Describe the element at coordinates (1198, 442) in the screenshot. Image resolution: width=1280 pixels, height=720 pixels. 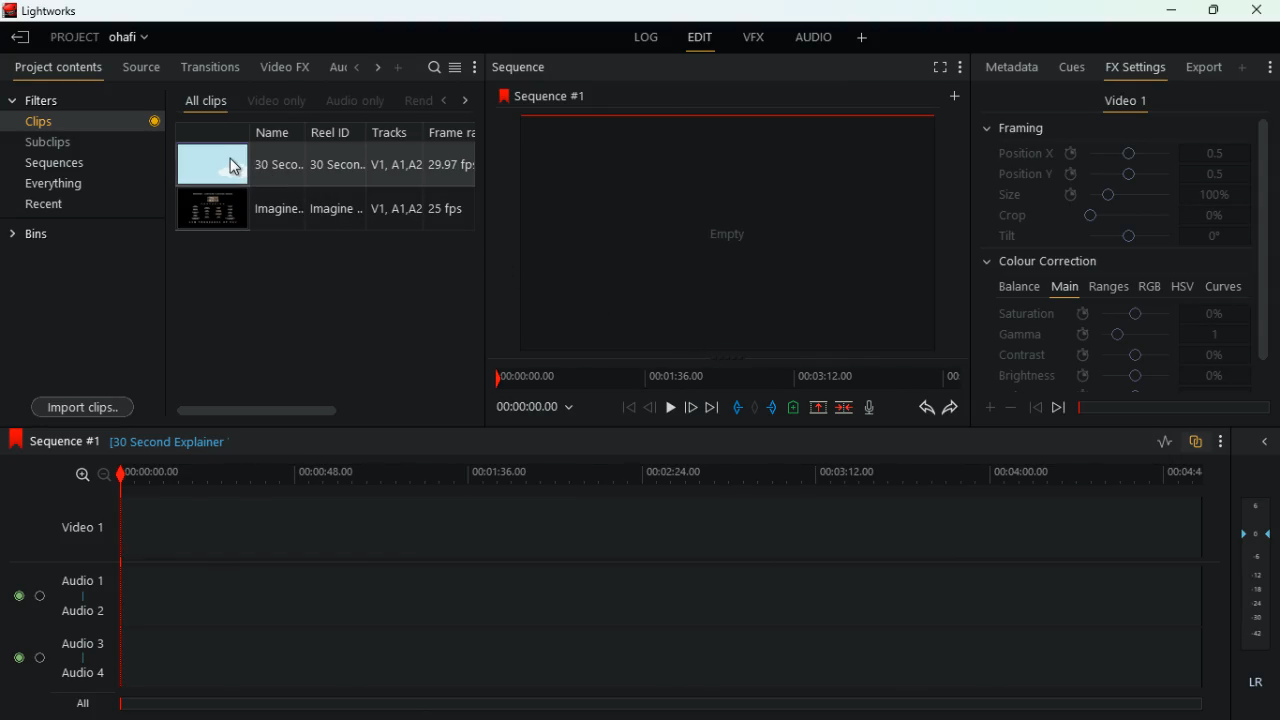
I see `overlap` at that location.